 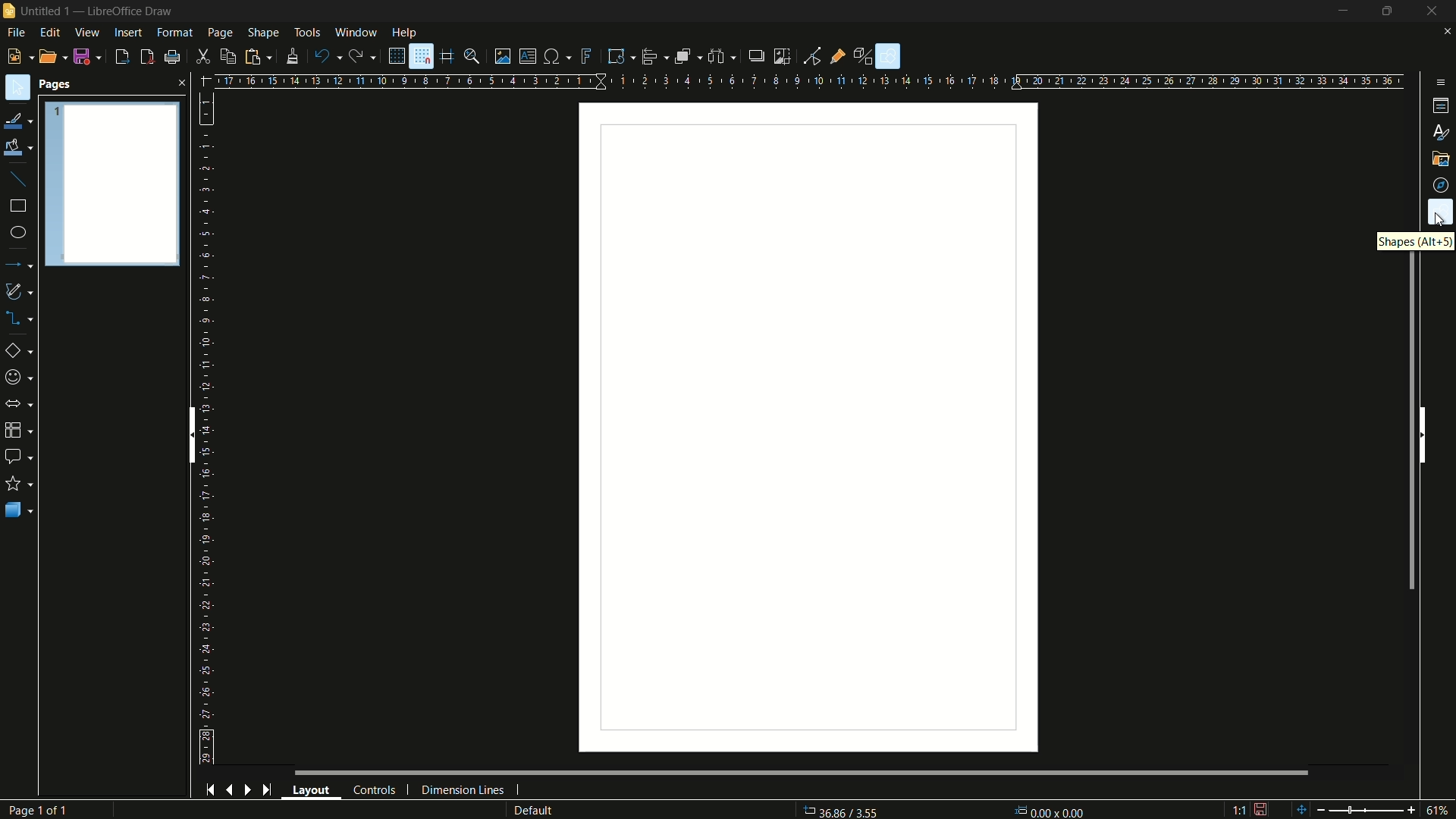 I want to click on insert image, so click(x=503, y=56).